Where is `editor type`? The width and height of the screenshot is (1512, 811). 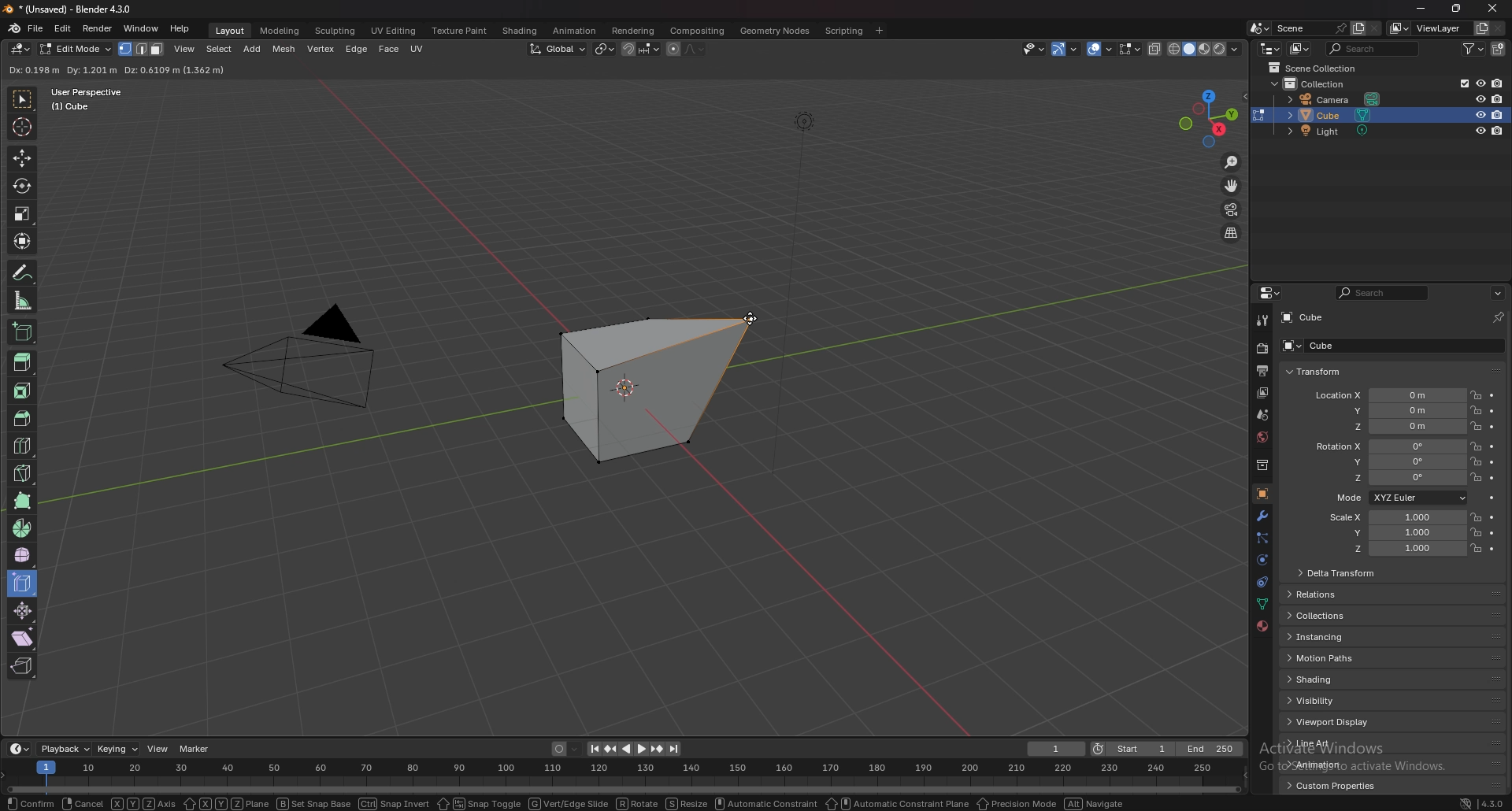 editor type is located at coordinates (19, 749).